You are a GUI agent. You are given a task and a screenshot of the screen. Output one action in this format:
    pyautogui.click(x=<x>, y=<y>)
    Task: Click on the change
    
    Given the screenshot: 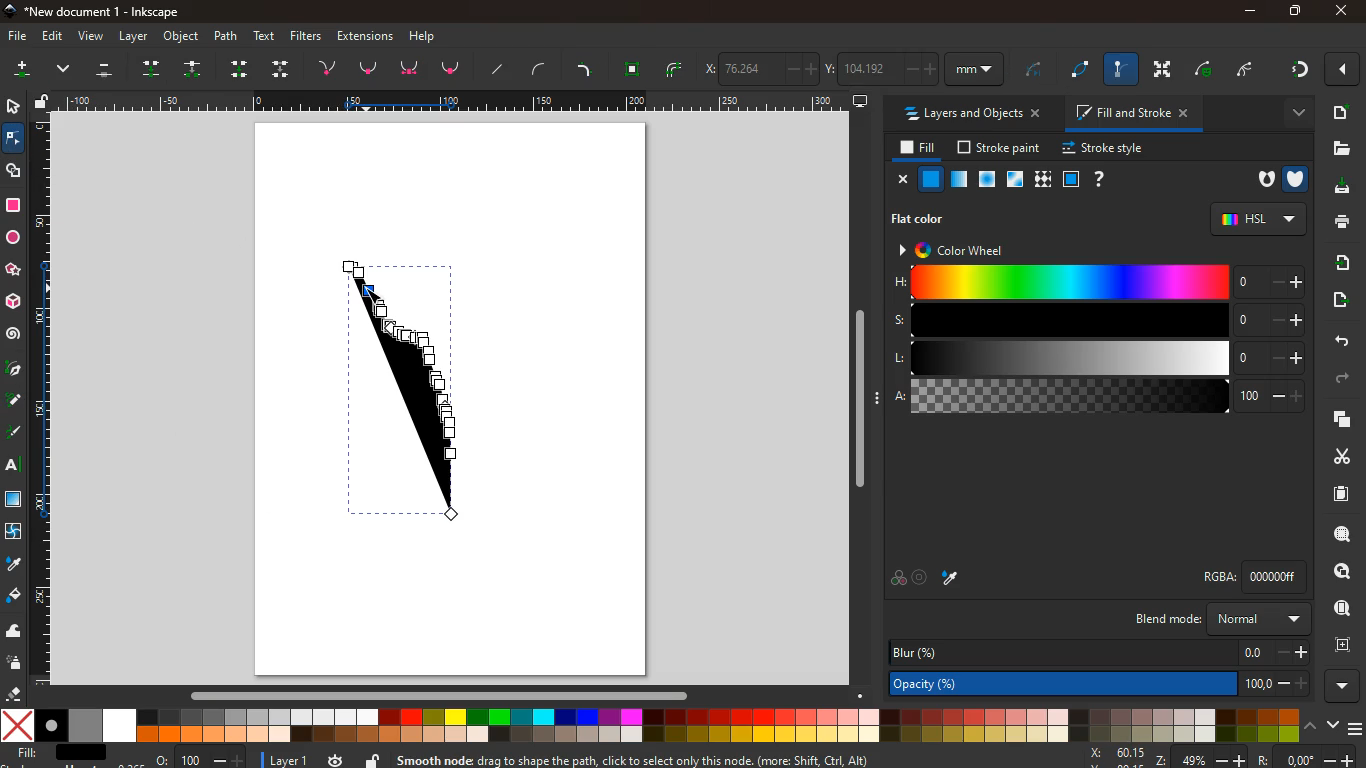 What is the action you would take?
    pyautogui.click(x=195, y=69)
    